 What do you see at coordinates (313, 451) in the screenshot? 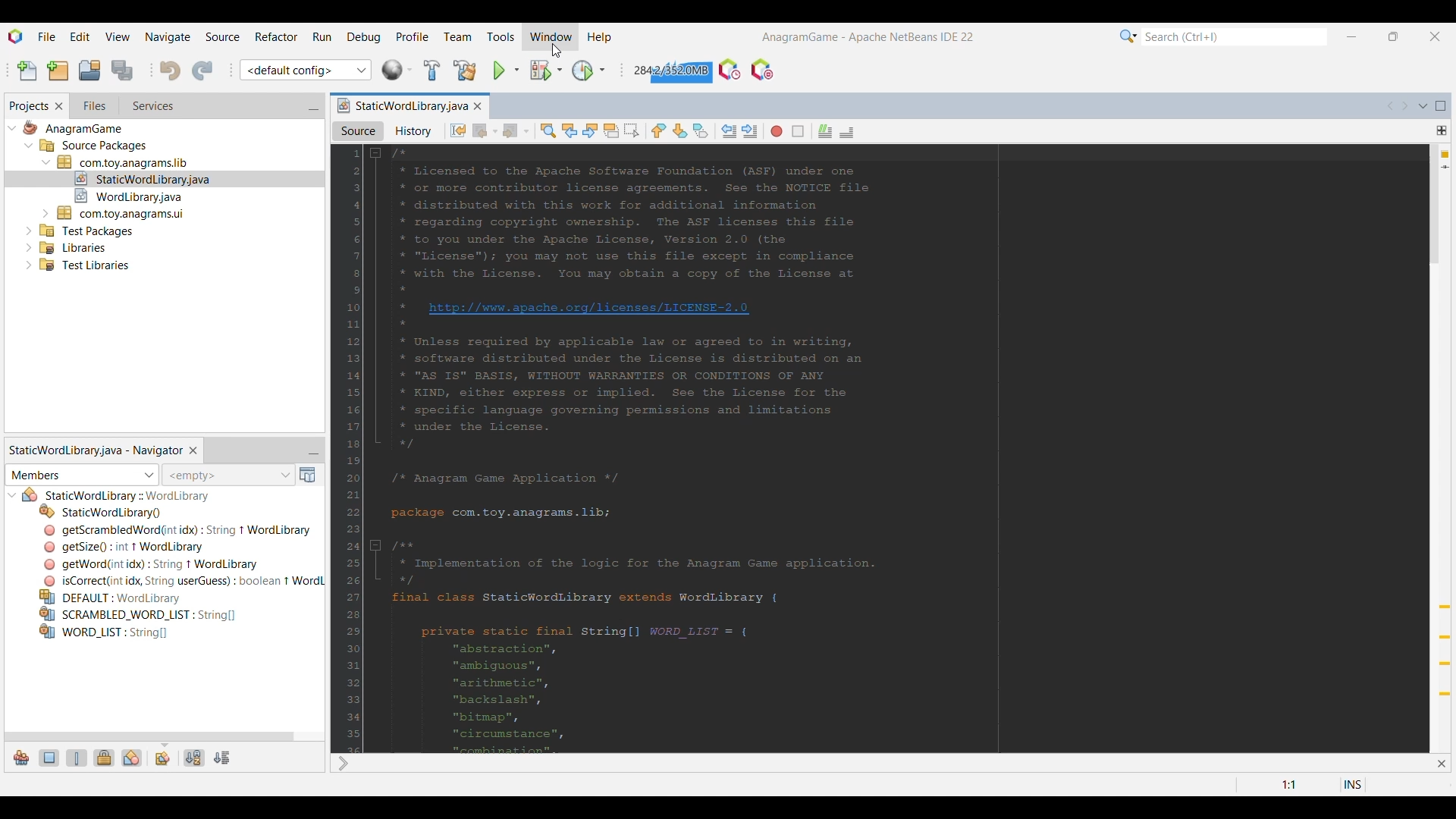
I see `Minimize window group` at bounding box center [313, 451].